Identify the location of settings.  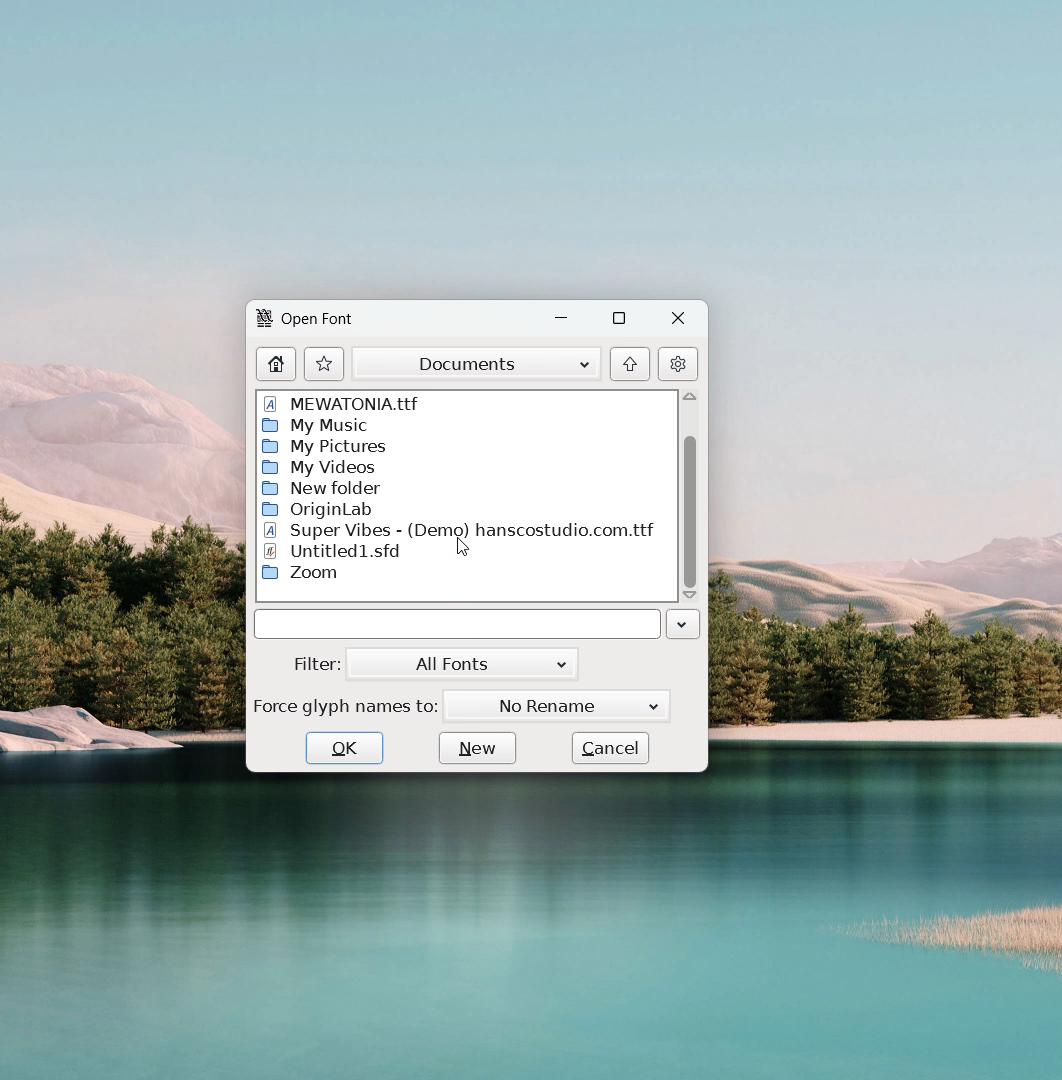
(679, 364).